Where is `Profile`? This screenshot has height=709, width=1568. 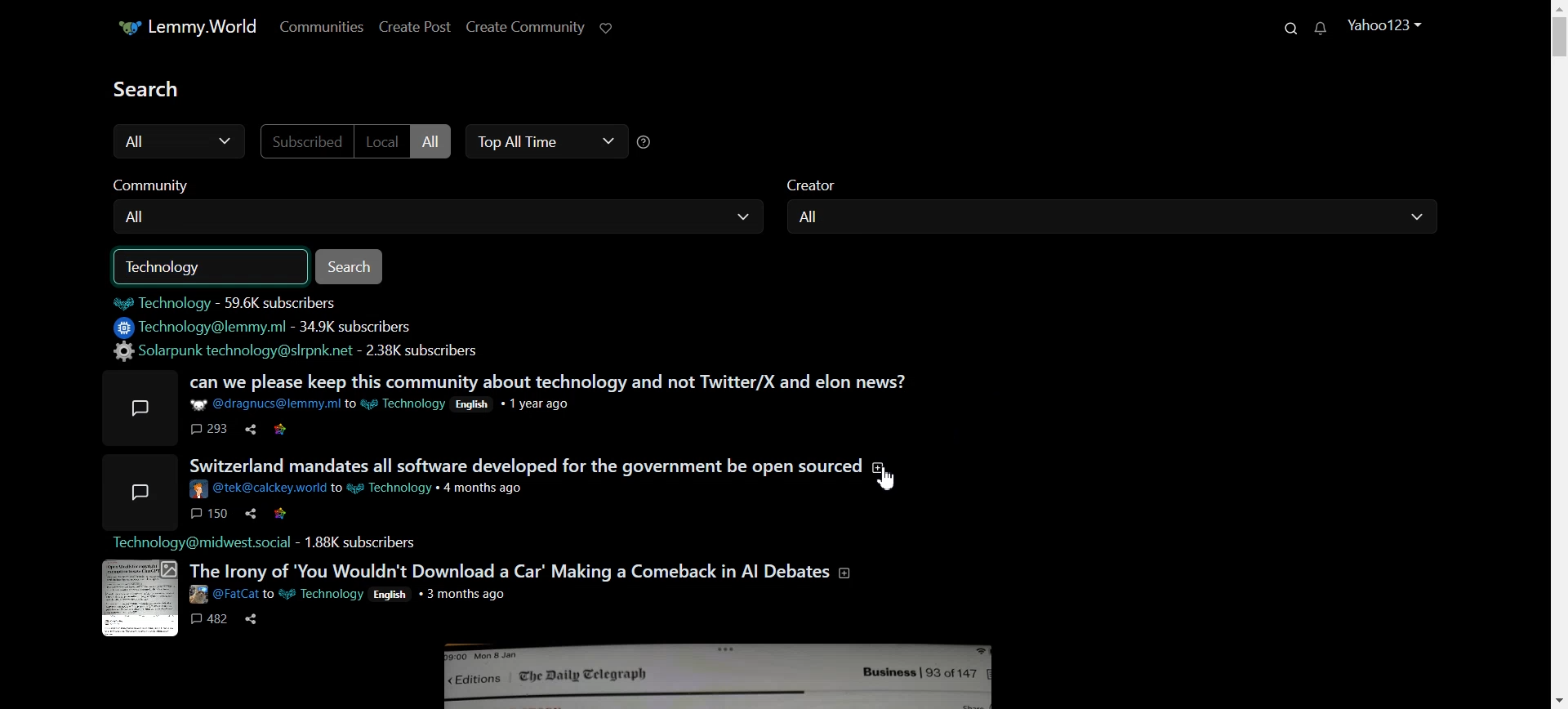
Profile is located at coordinates (1387, 24).